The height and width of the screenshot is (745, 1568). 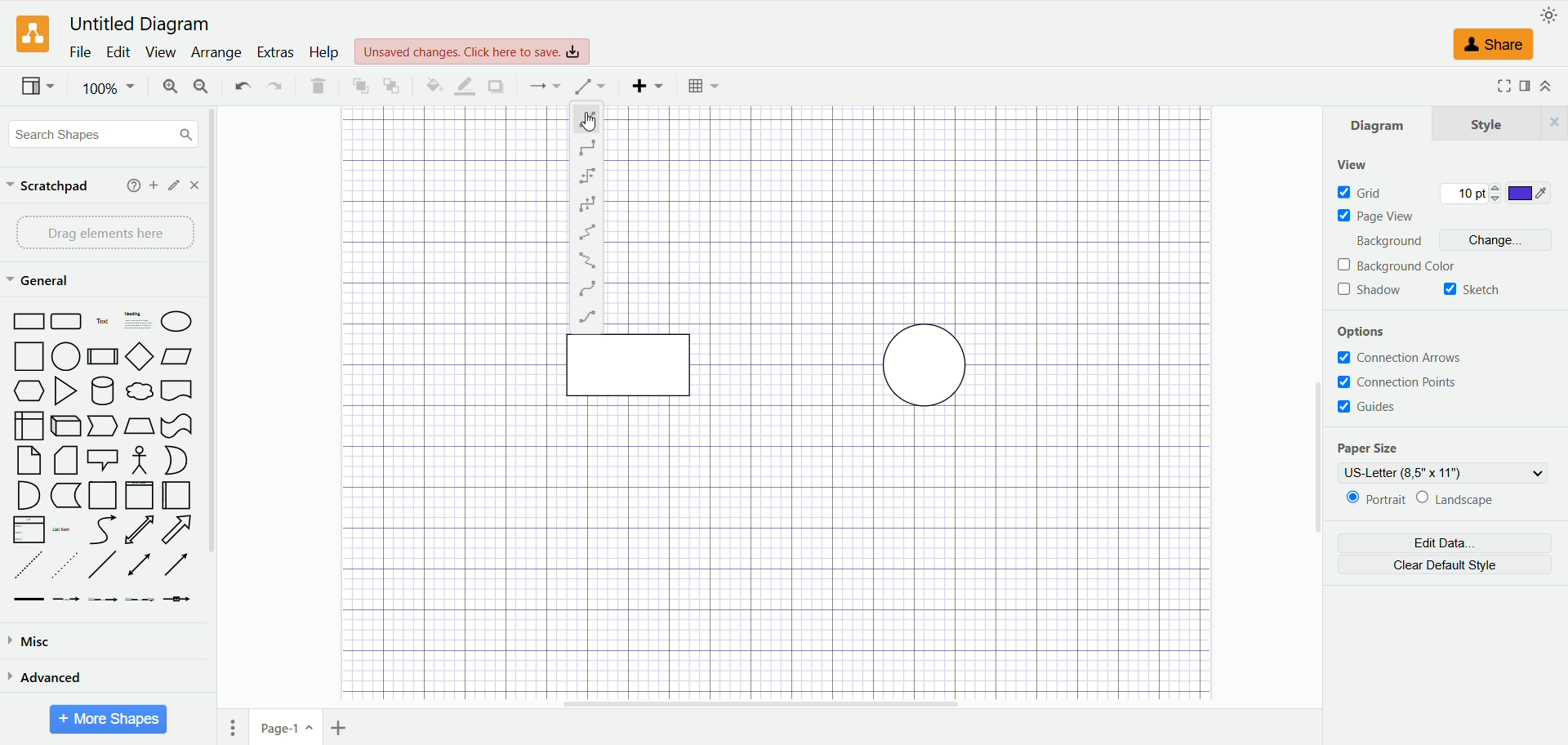 What do you see at coordinates (104, 565) in the screenshot?
I see `Line` at bounding box center [104, 565].